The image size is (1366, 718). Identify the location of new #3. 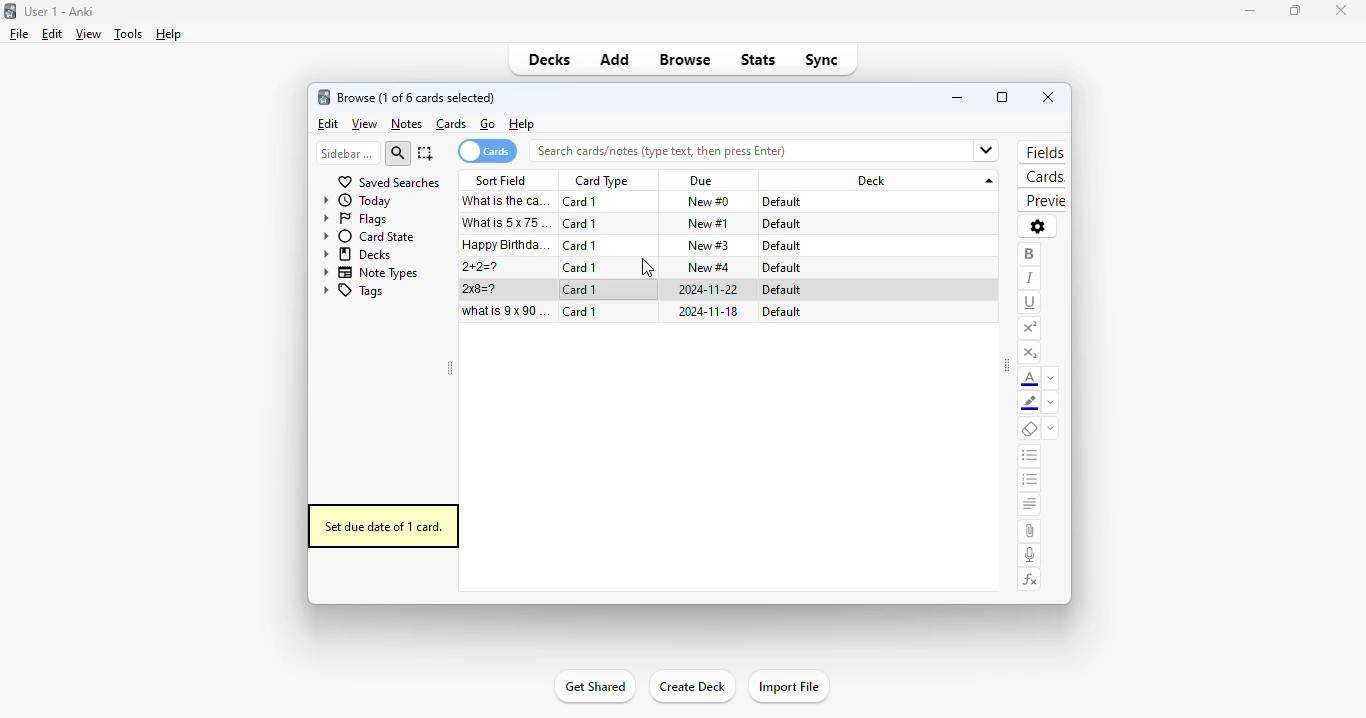
(709, 245).